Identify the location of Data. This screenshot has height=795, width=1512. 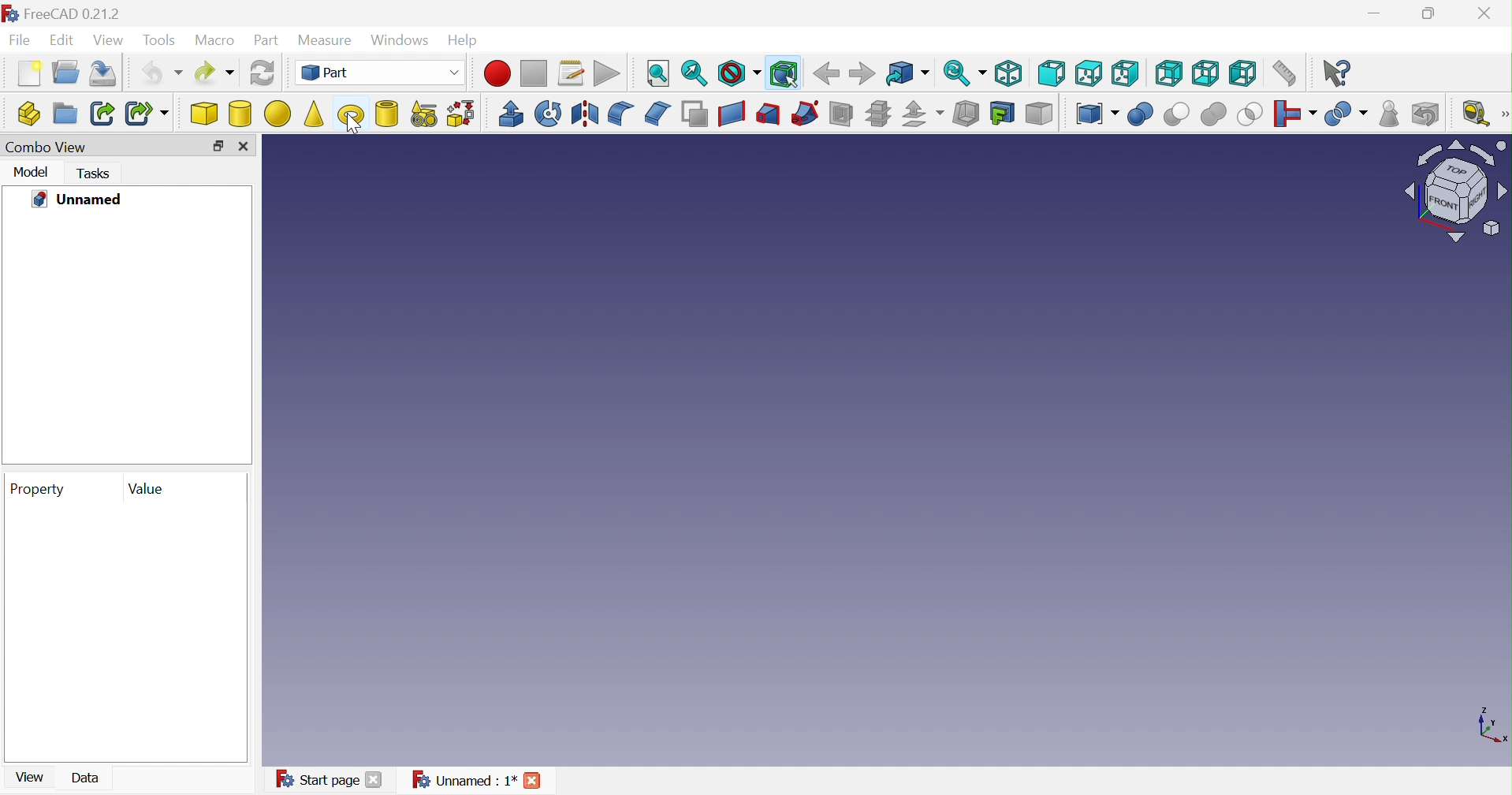
(86, 778).